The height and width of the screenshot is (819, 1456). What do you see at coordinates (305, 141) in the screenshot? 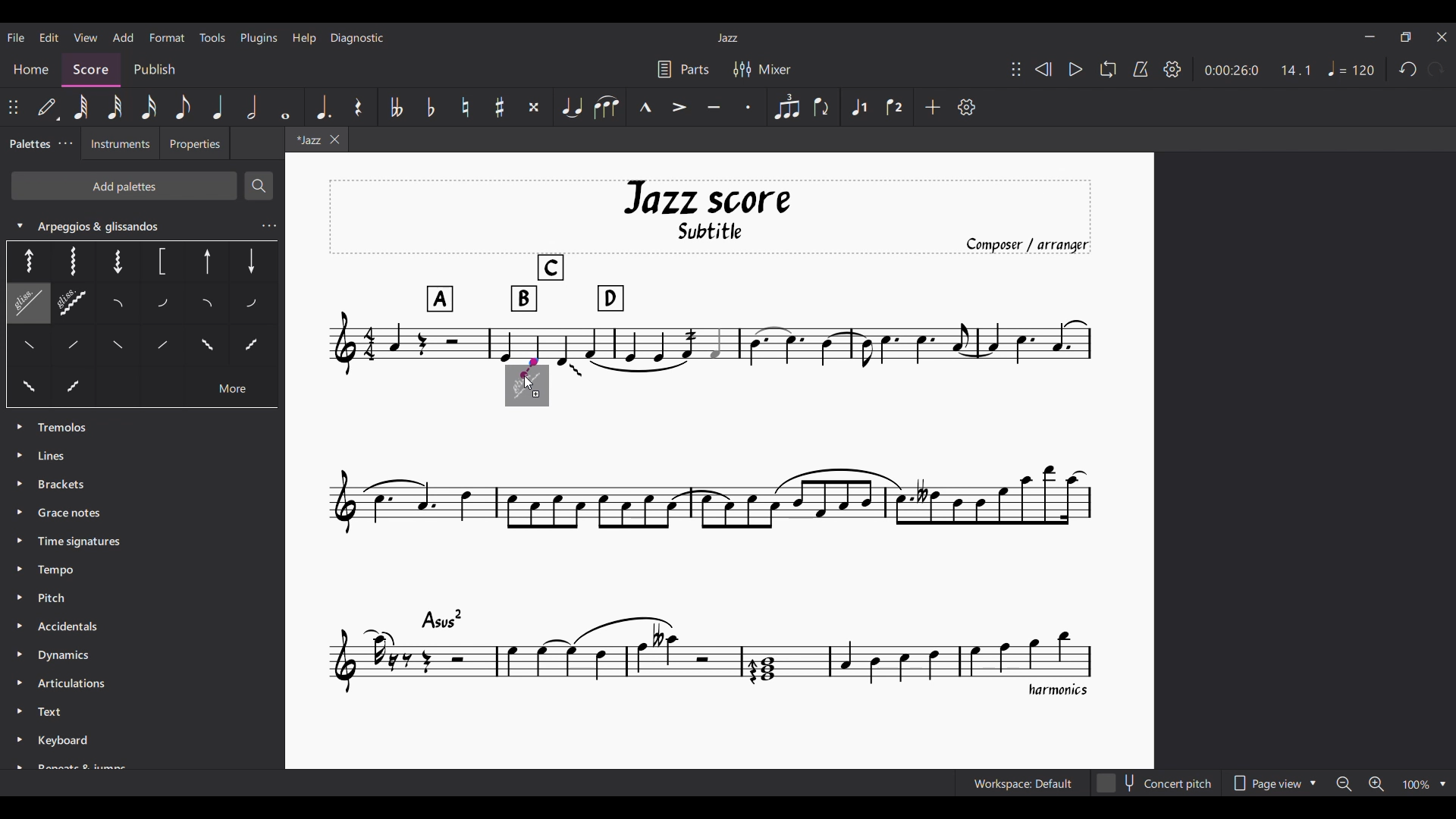
I see `Current tab` at bounding box center [305, 141].